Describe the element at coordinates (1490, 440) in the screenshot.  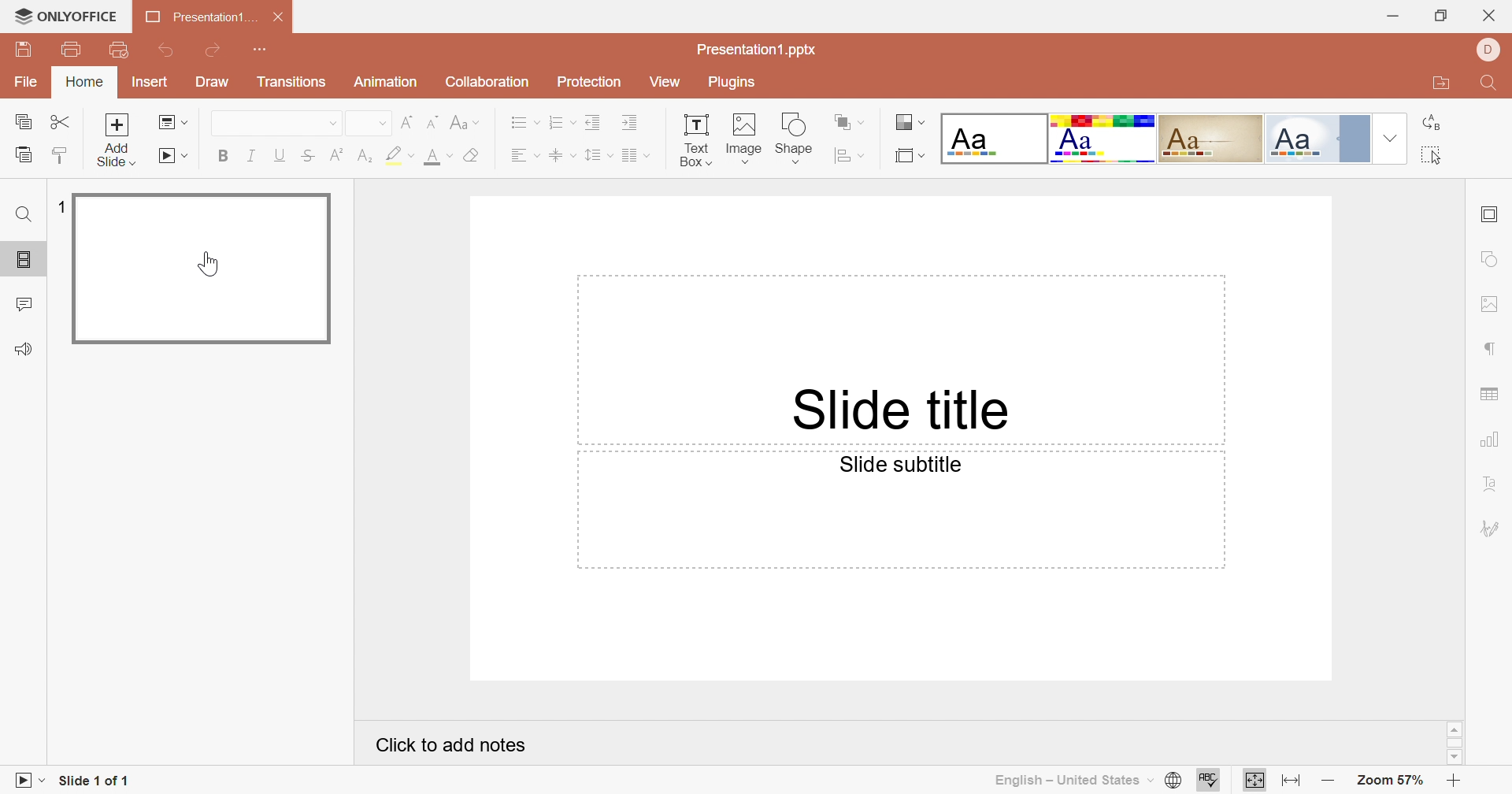
I see `chart settings` at that location.